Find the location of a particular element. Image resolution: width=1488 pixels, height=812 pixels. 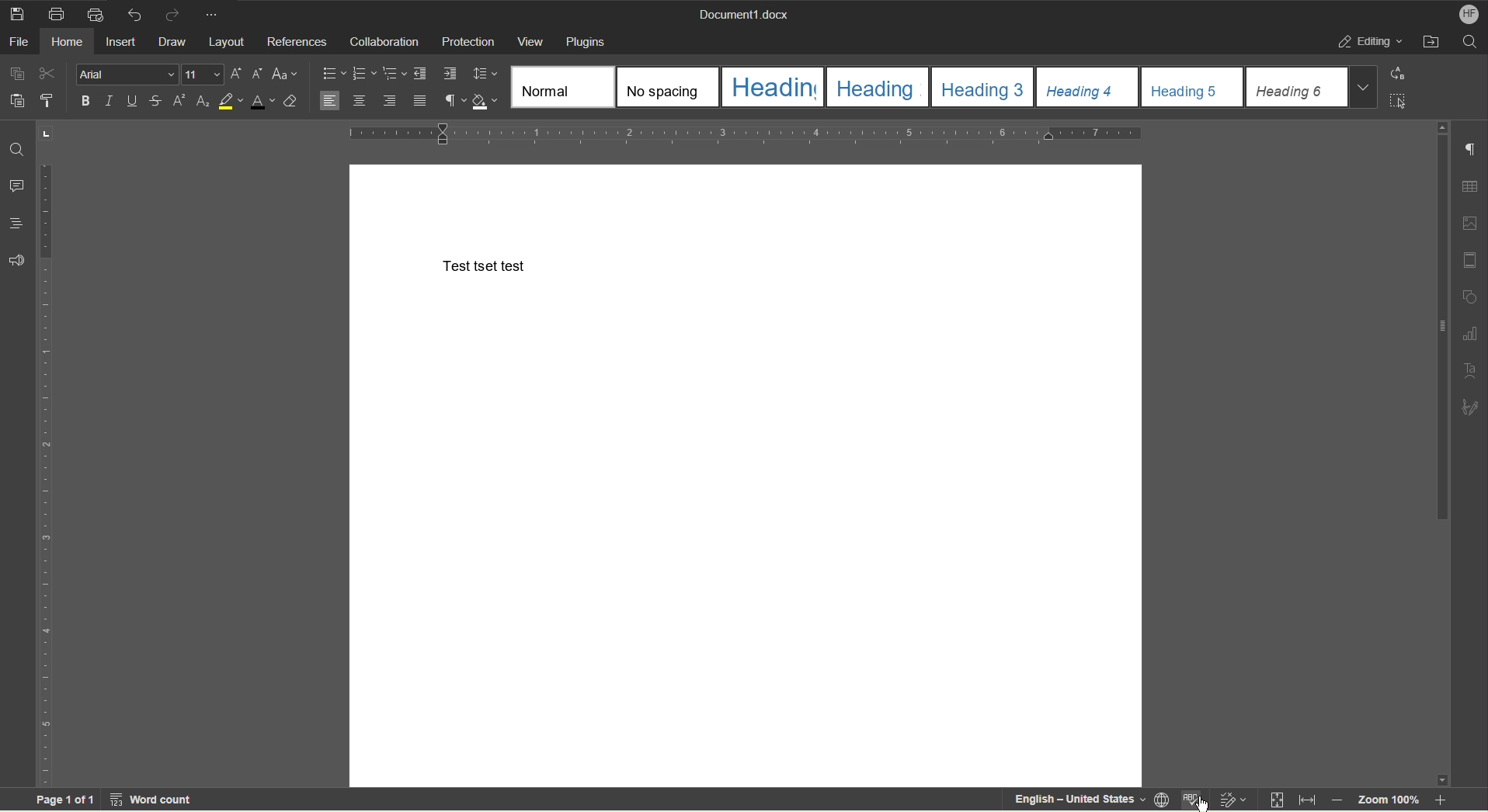

Protection is located at coordinates (469, 40).